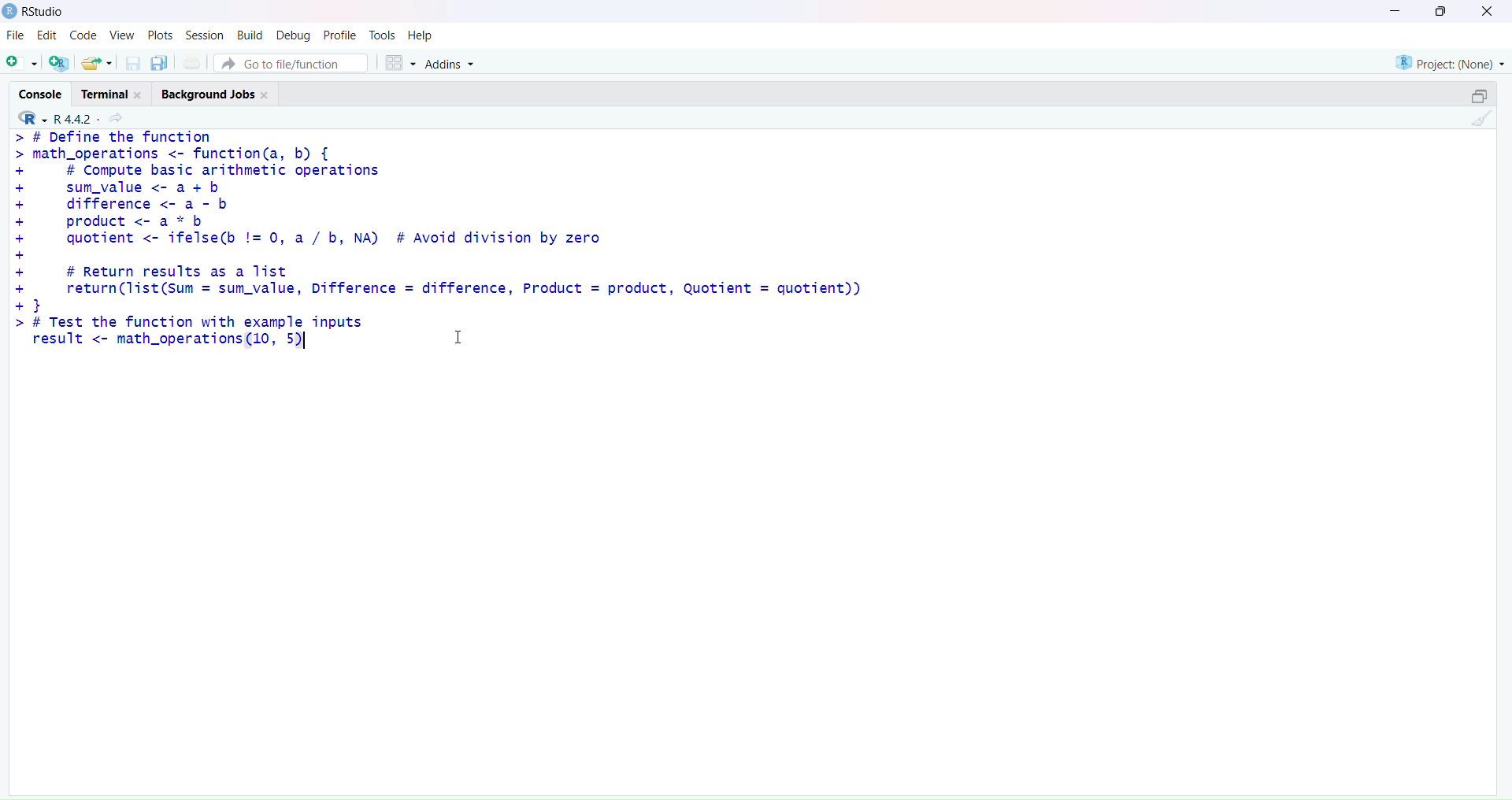 Image resolution: width=1512 pixels, height=800 pixels. What do you see at coordinates (398, 62) in the screenshot?
I see `Workspace panes` at bounding box center [398, 62].